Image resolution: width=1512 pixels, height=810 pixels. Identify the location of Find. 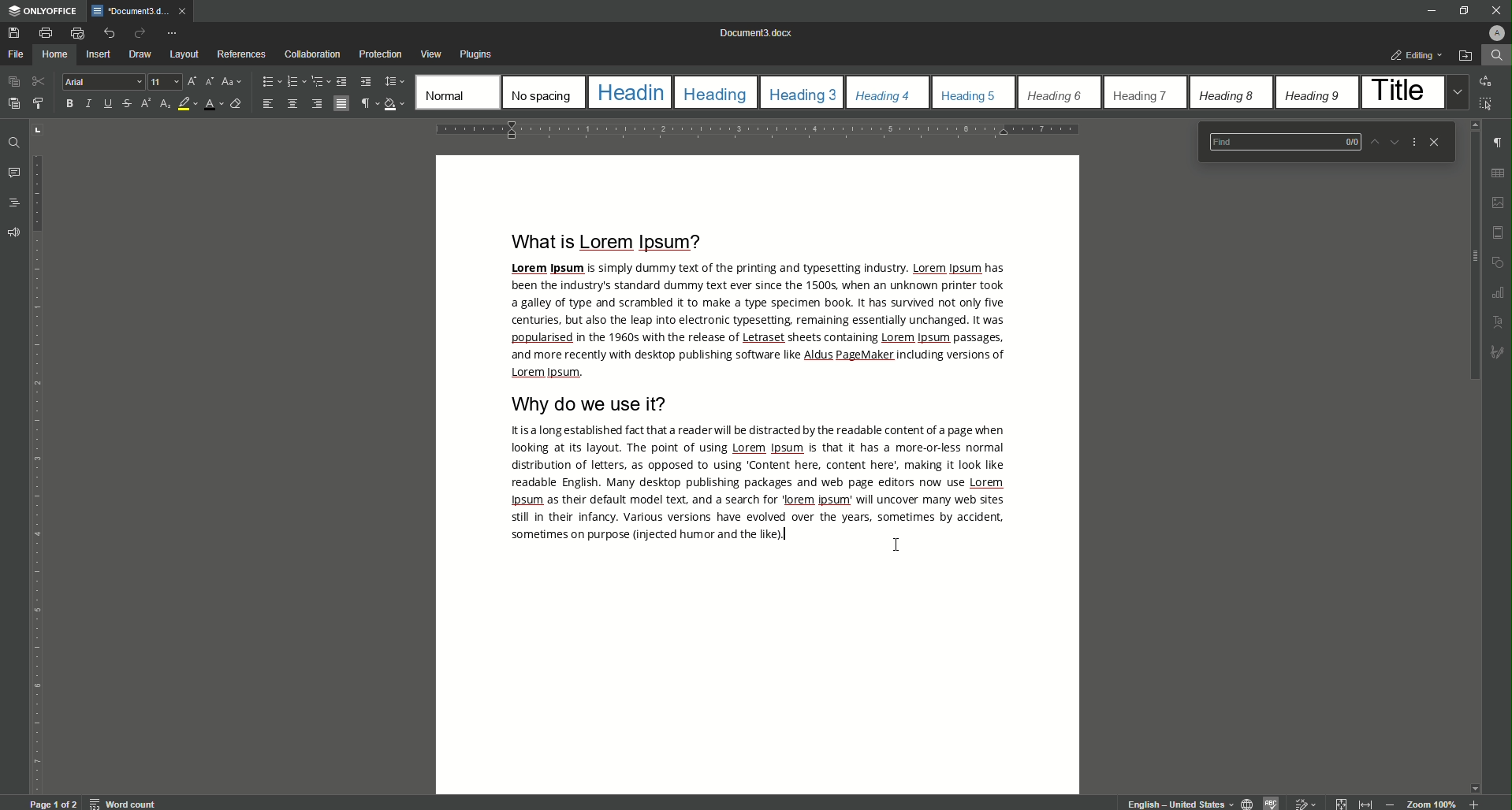
(1495, 55).